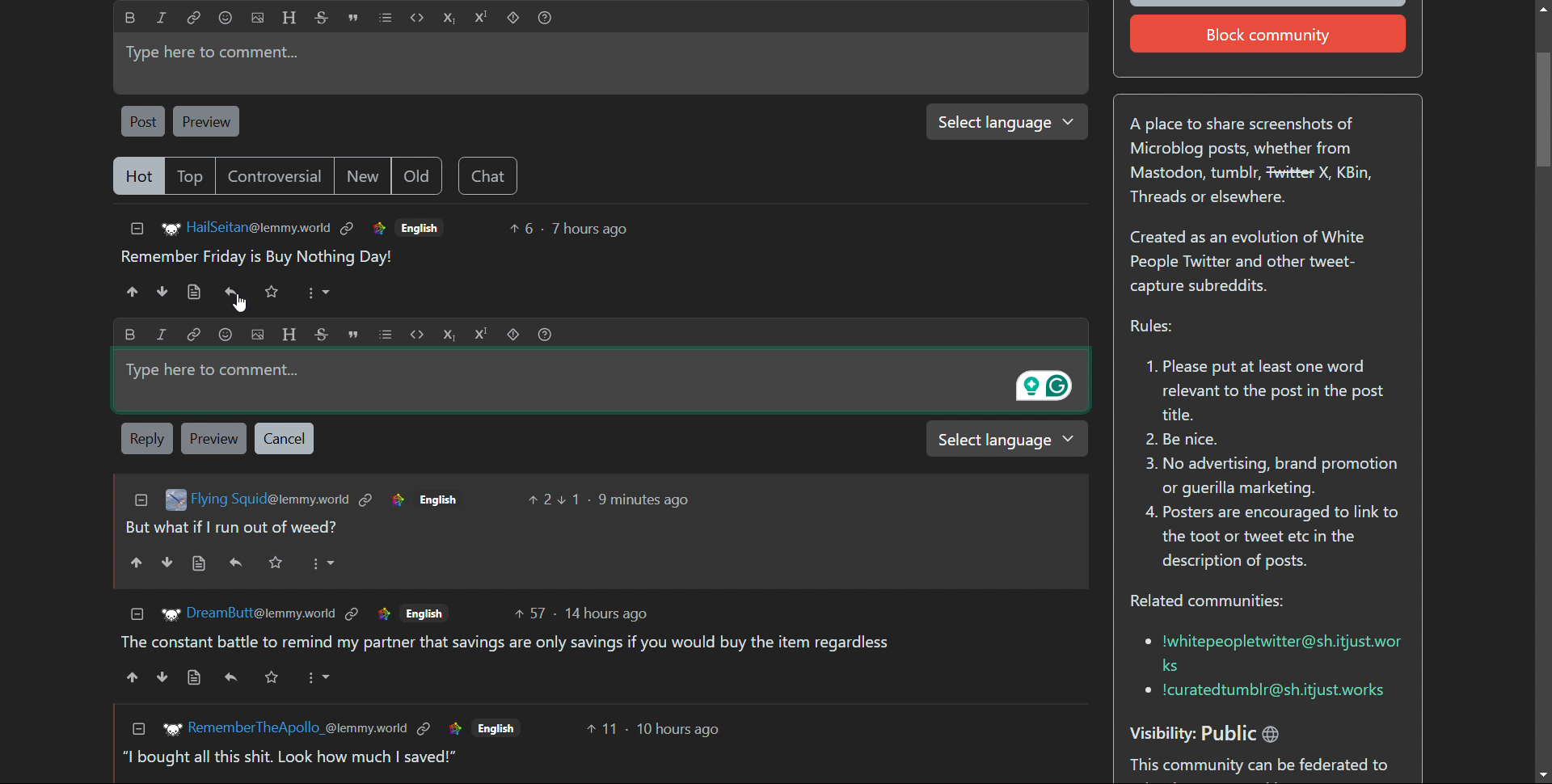 The height and width of the screenshot is (784, 1552). What do you see at coordinates (299, 764) in the screenshot?
I see `comment` at bounding box center [299, 764].